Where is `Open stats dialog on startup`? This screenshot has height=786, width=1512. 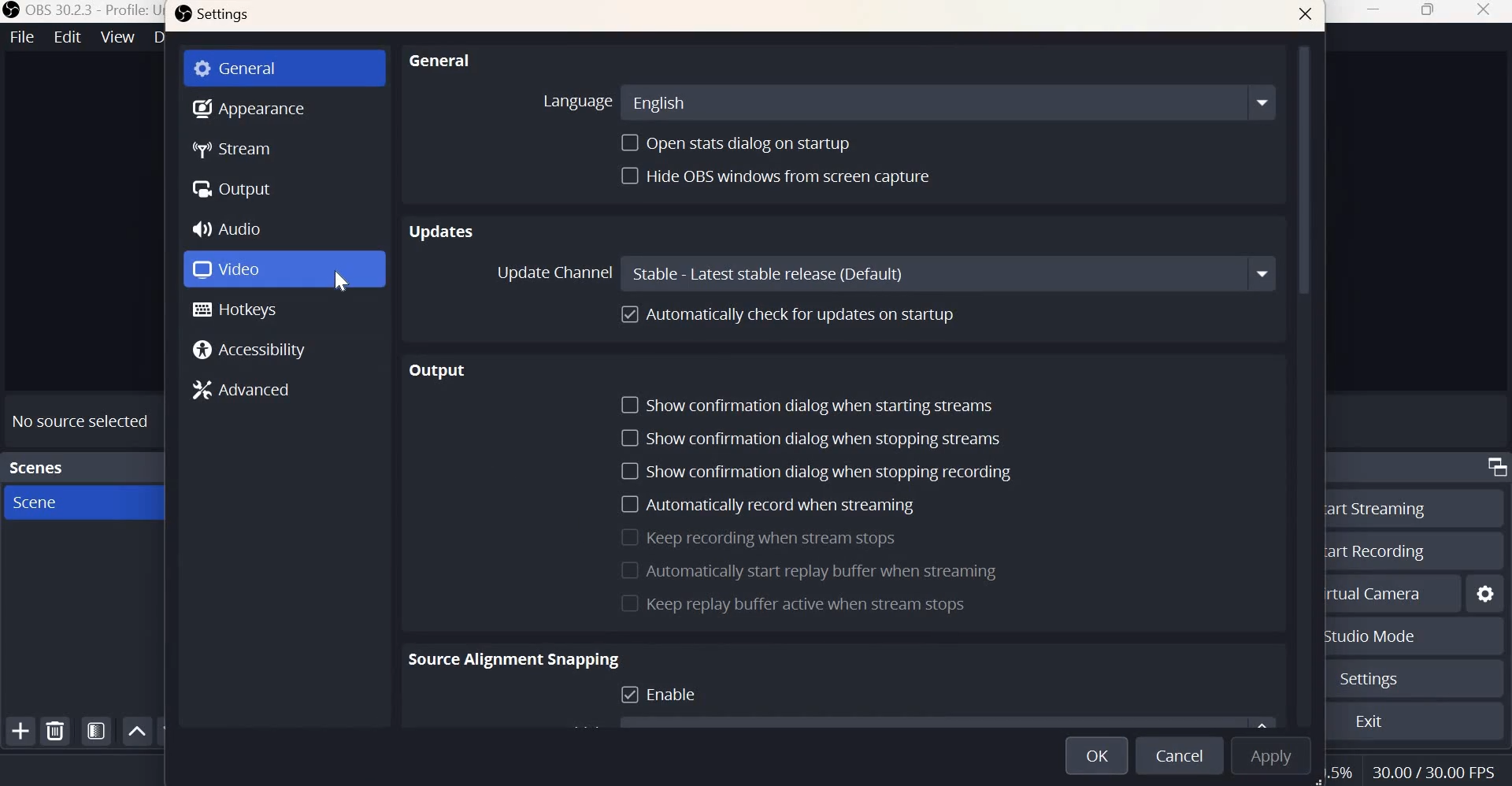 Open stats dialog on startup is located at coordinates (735, 143).